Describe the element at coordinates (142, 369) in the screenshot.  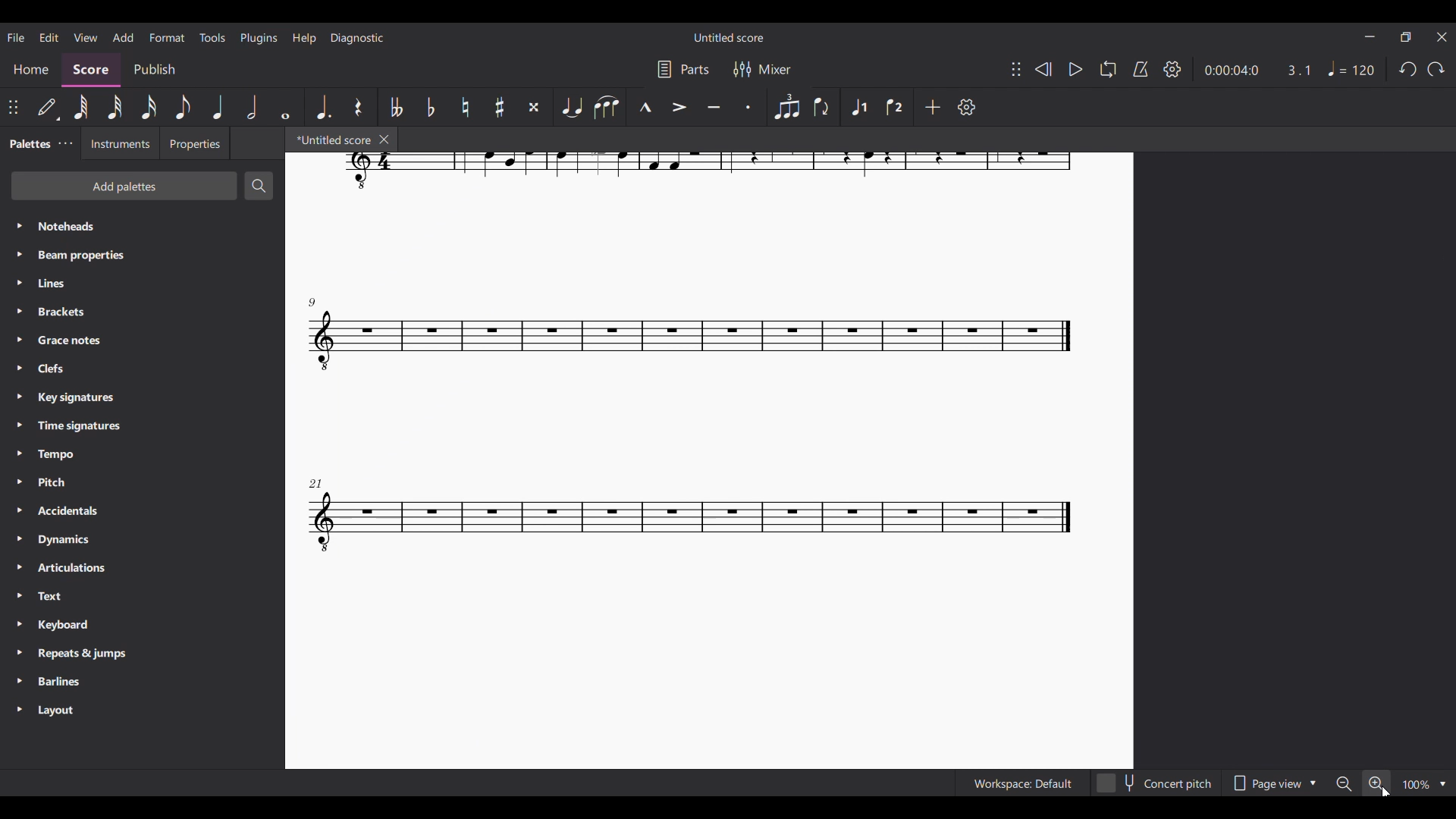
I see `Clefs` at that location.